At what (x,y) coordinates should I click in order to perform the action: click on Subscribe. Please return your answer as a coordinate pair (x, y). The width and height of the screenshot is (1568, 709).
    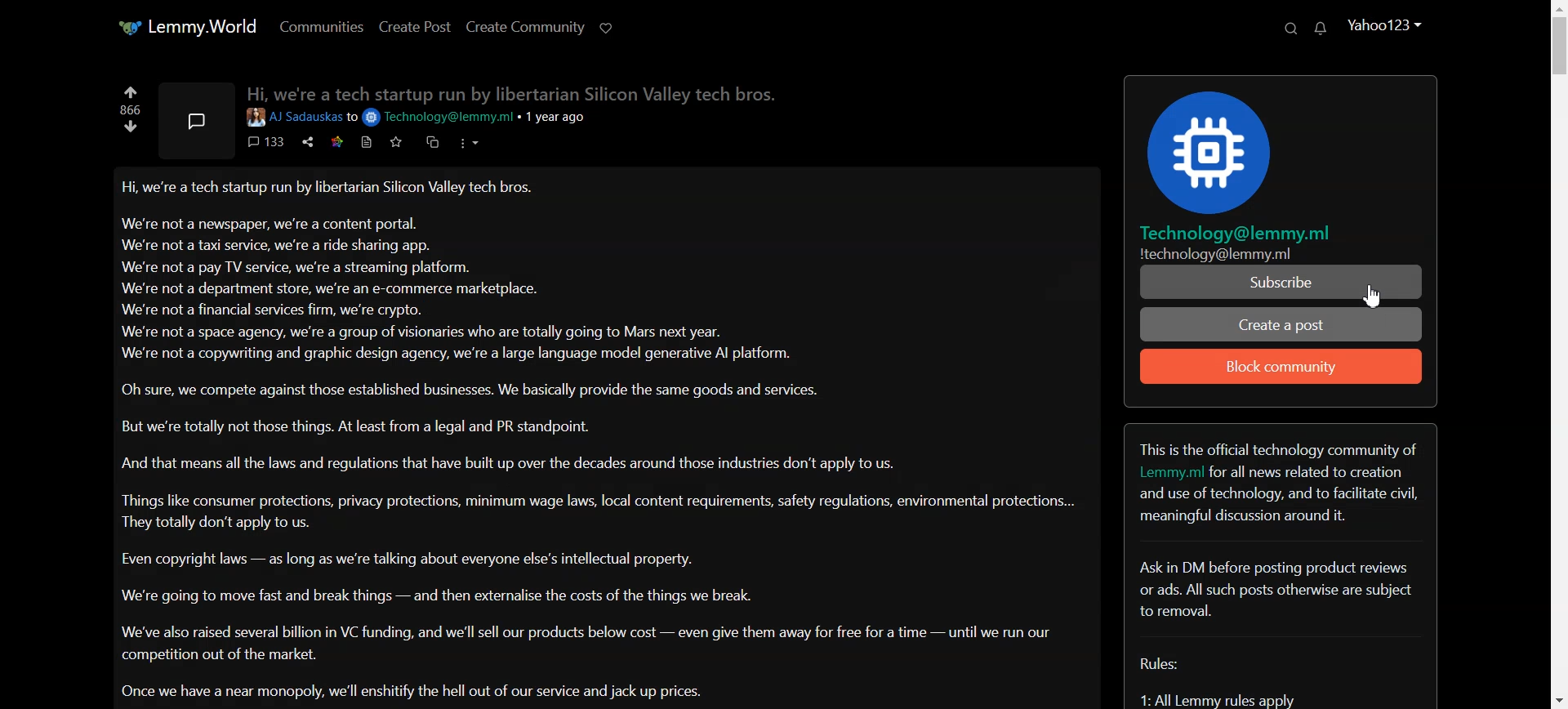
    Looking at the image, I should click on (1281, 284).